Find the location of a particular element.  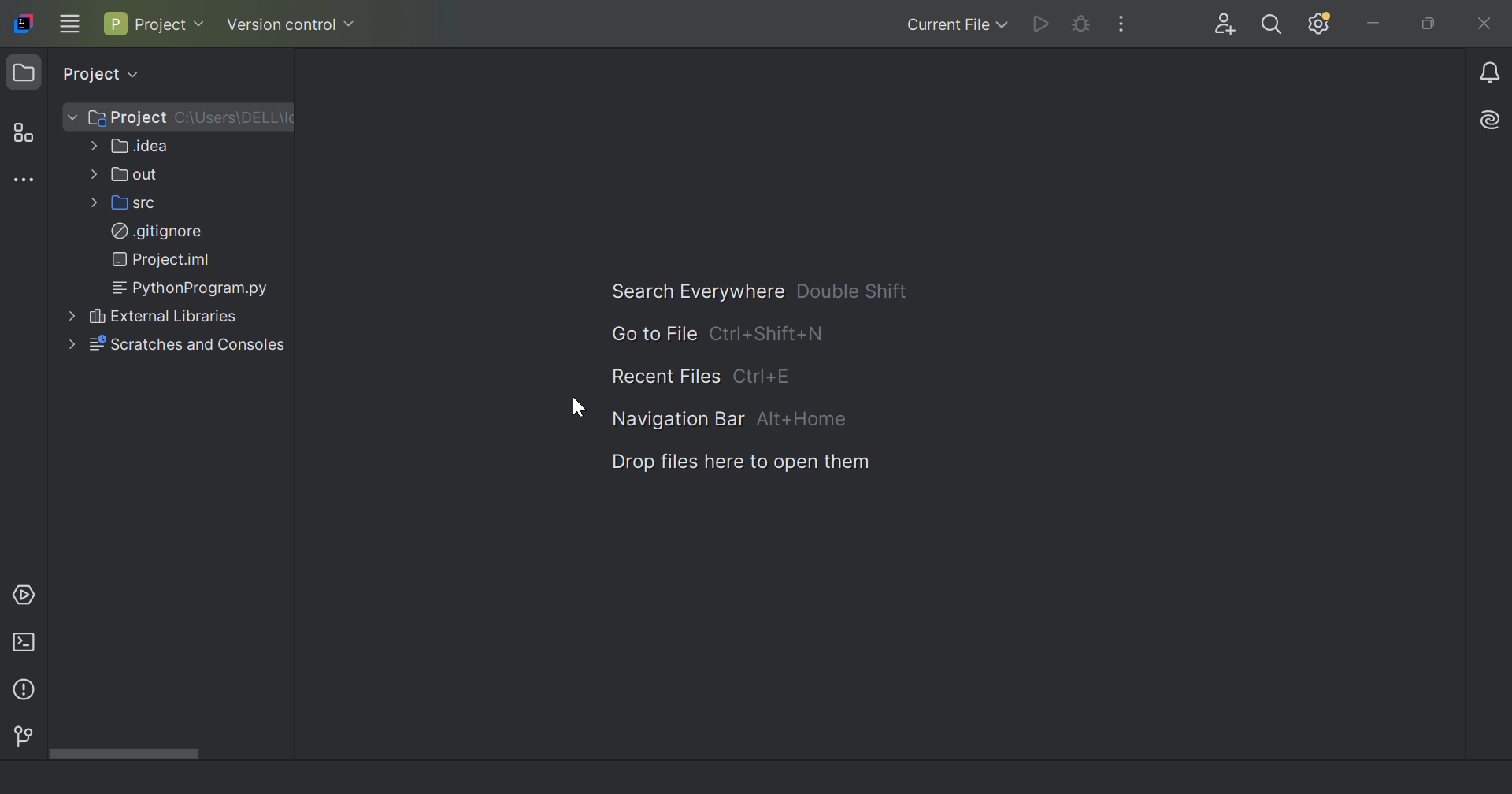

Alt+Home is located at coordinates (802, 417).